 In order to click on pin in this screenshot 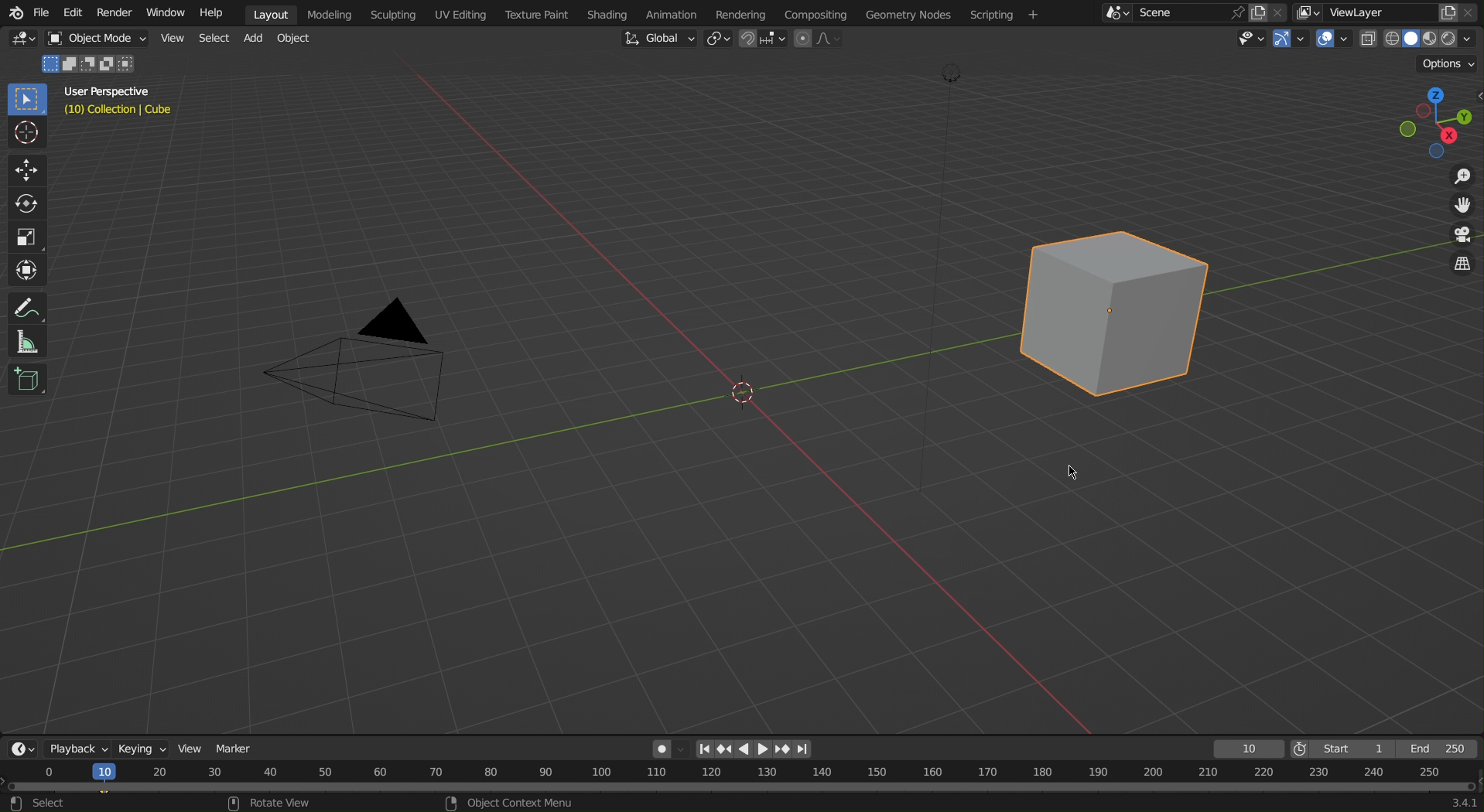, I will do `click(1234, 12)`.